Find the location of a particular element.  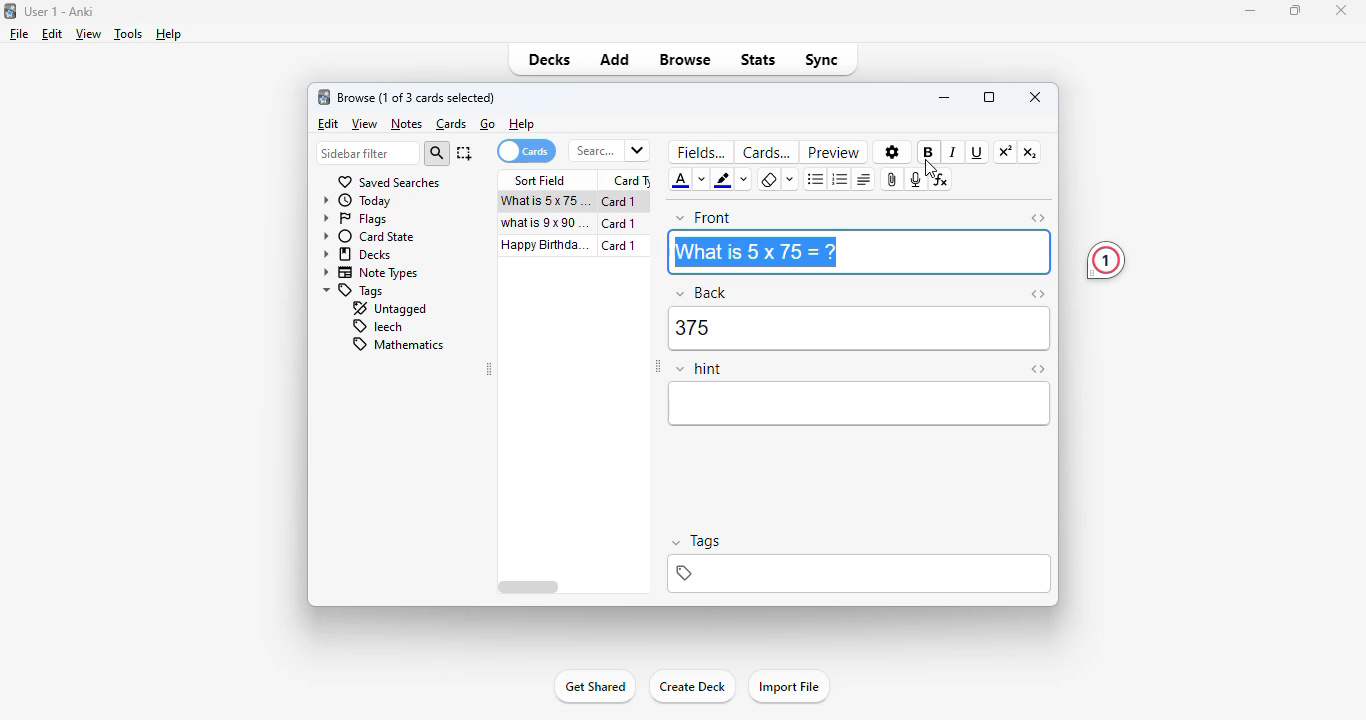

preview is located at coordinates (835, 152).